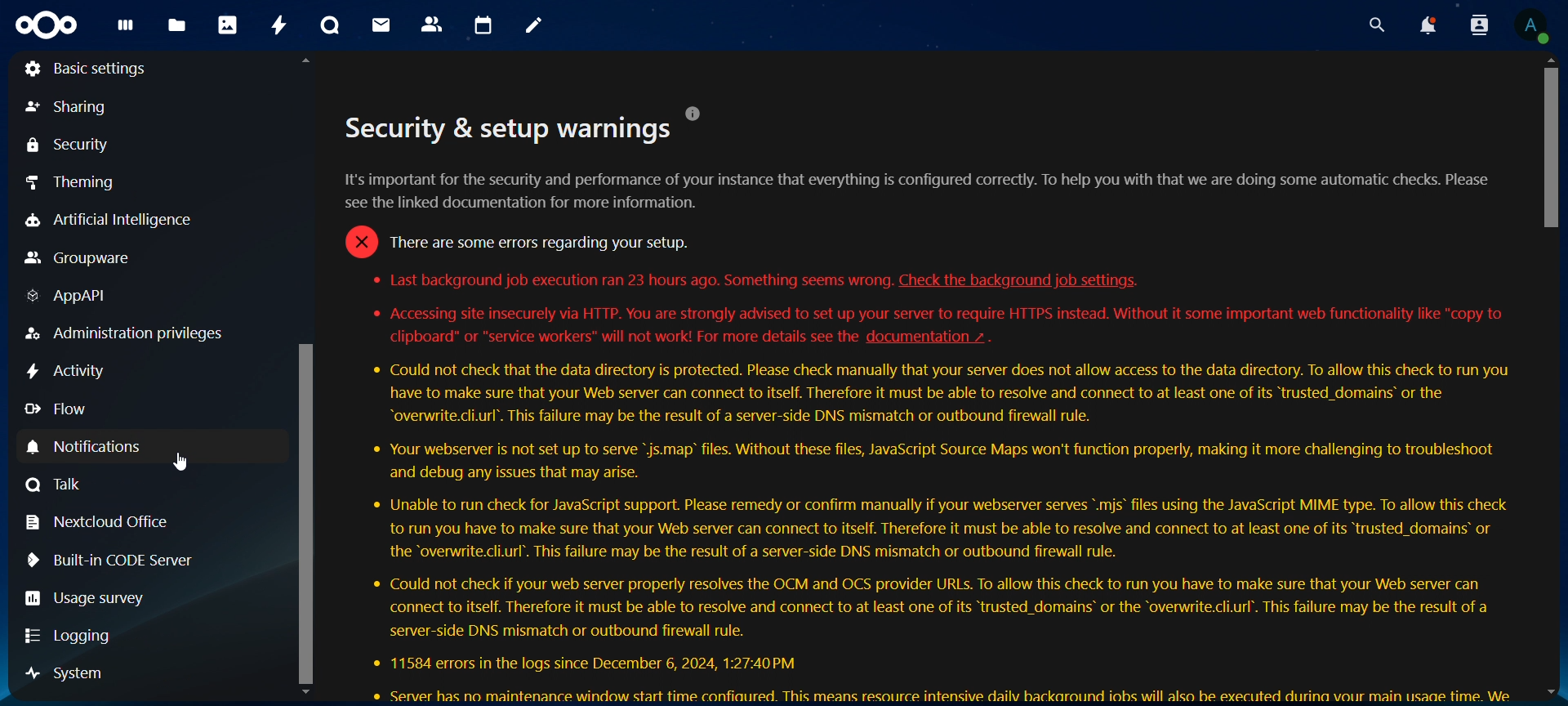  What do you see at coordinates (111, 446) in the screenshot?
I see `notifications` at bounding box center [111, 446].